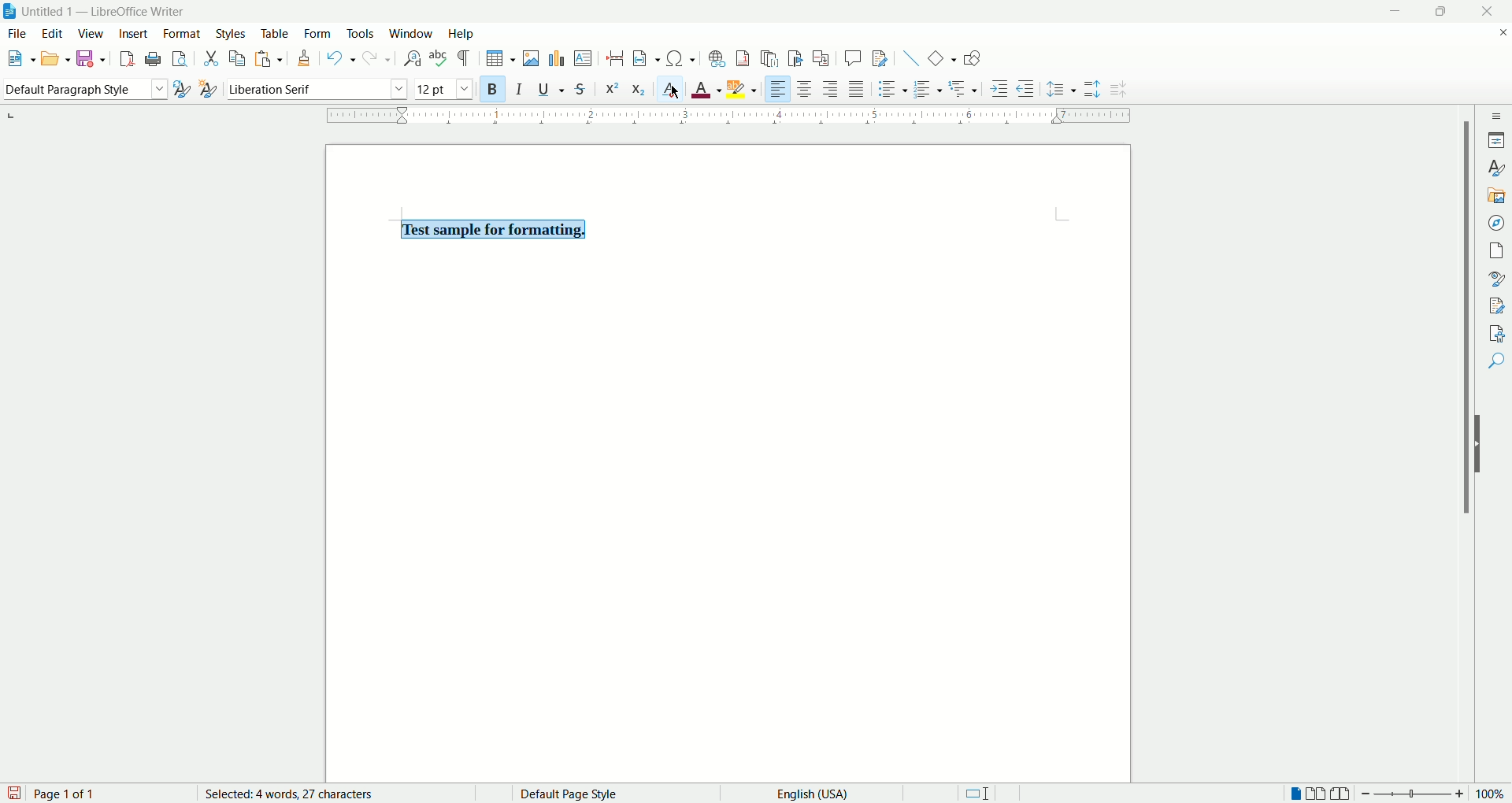 The width and height of the screenshot is (1512, 803). I want to click on insert field, so click(644, 59).